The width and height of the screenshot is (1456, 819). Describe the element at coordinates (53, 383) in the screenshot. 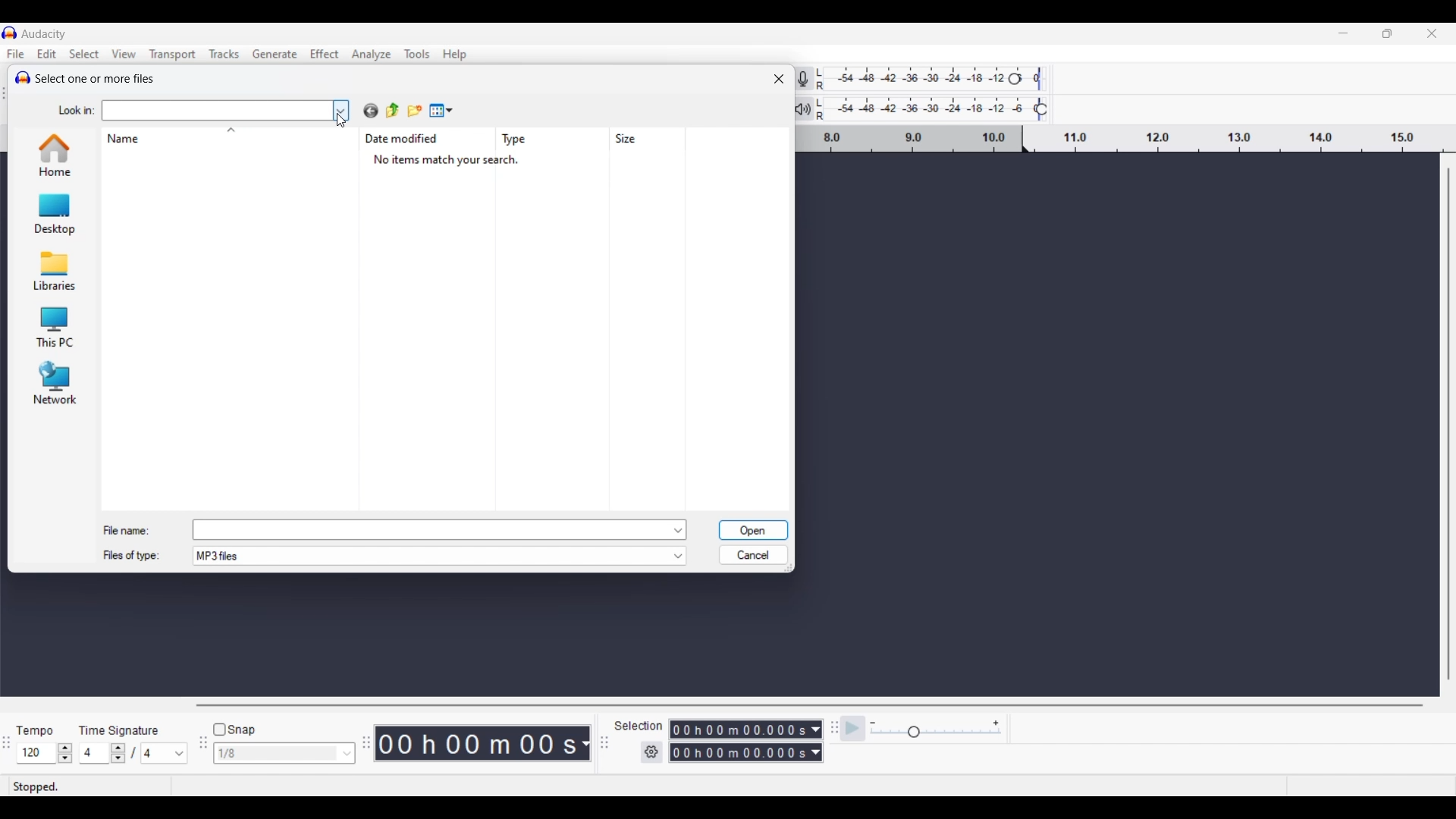

I see `Network folder` at that location.